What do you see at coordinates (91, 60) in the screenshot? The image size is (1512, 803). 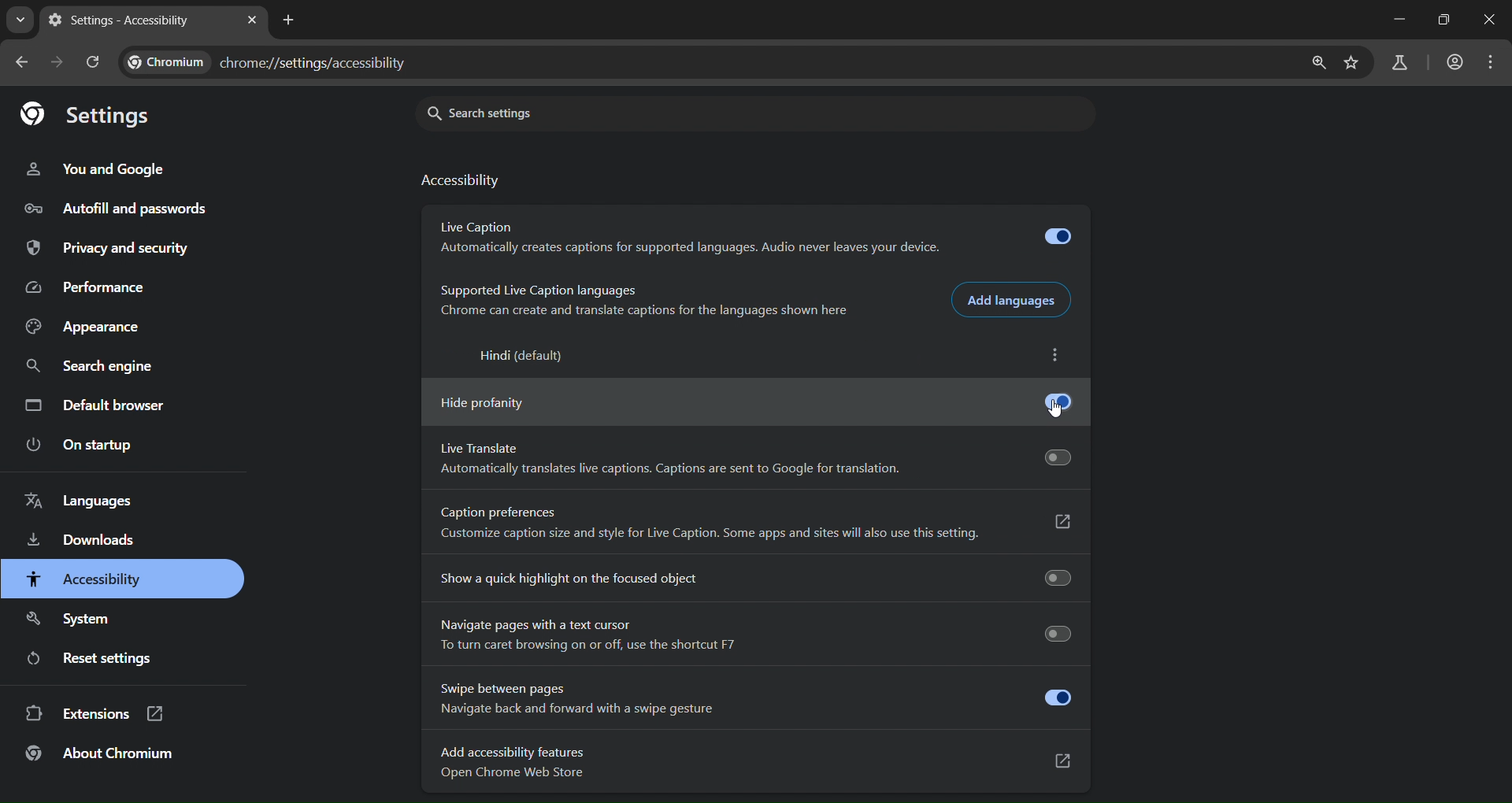 I see `reload page` at bounding box center [91, 60].